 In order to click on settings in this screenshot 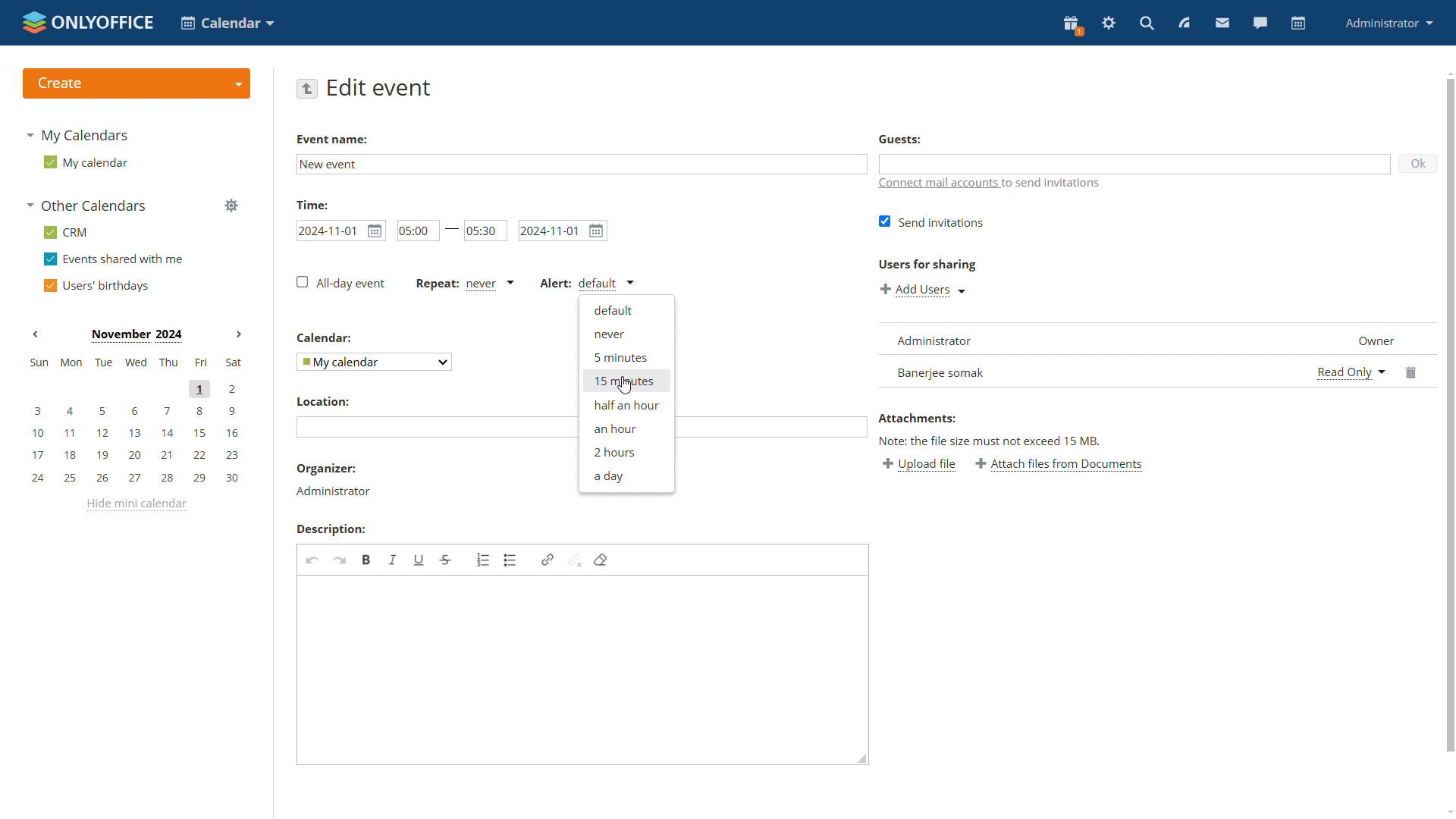, I will do `click(1107, 24)`.